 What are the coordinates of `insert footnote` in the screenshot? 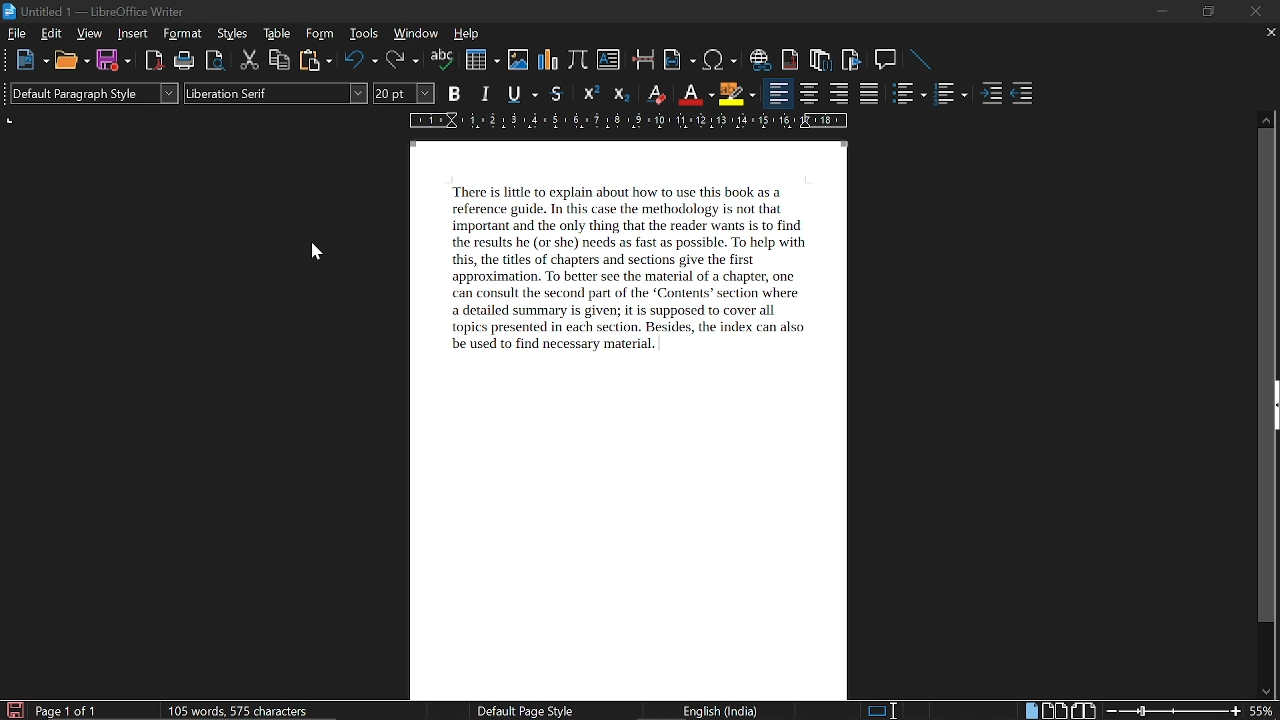 It's located at (791, 59).